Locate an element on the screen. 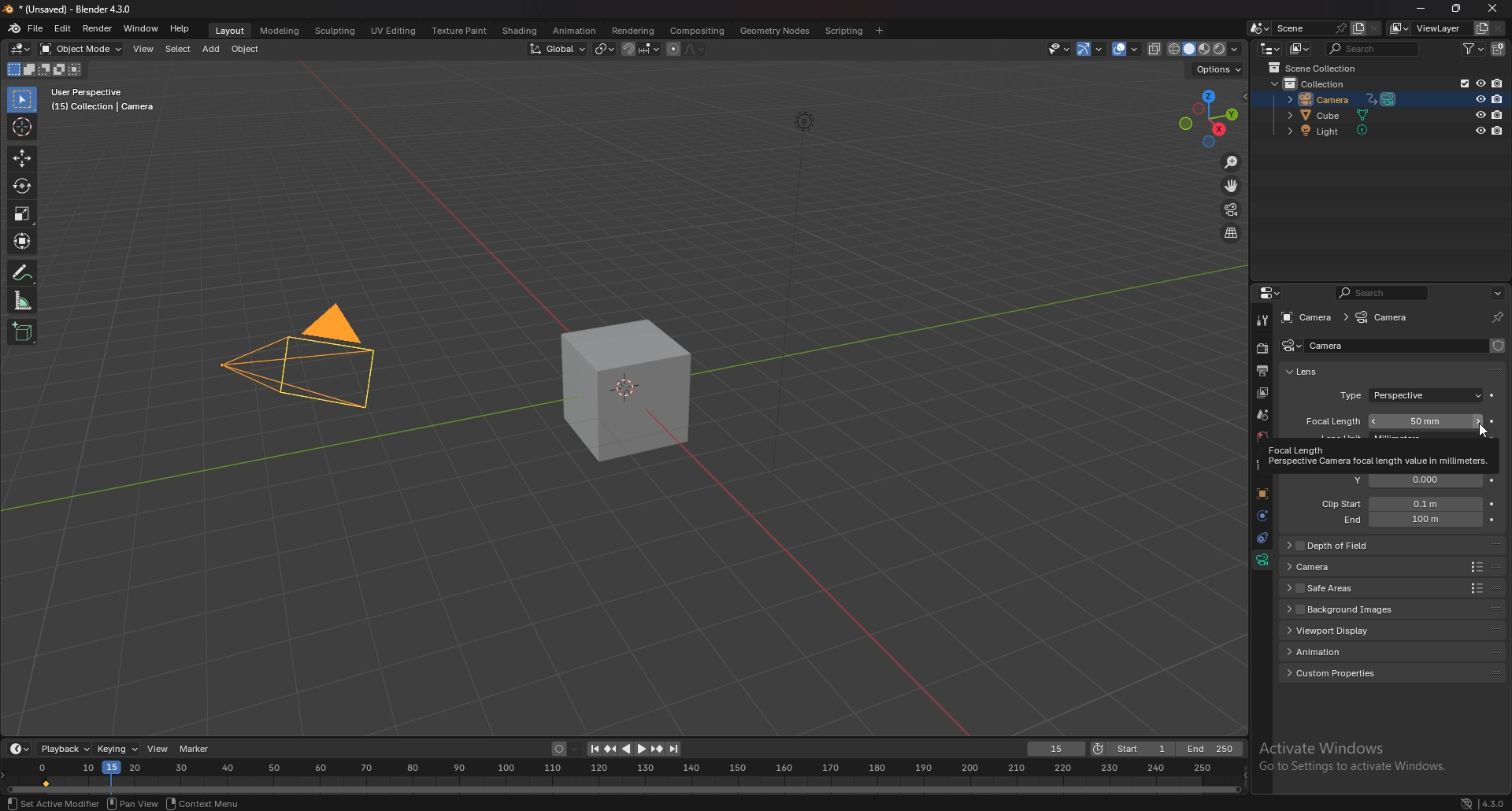  background images is located at coordinates (1351, 609).